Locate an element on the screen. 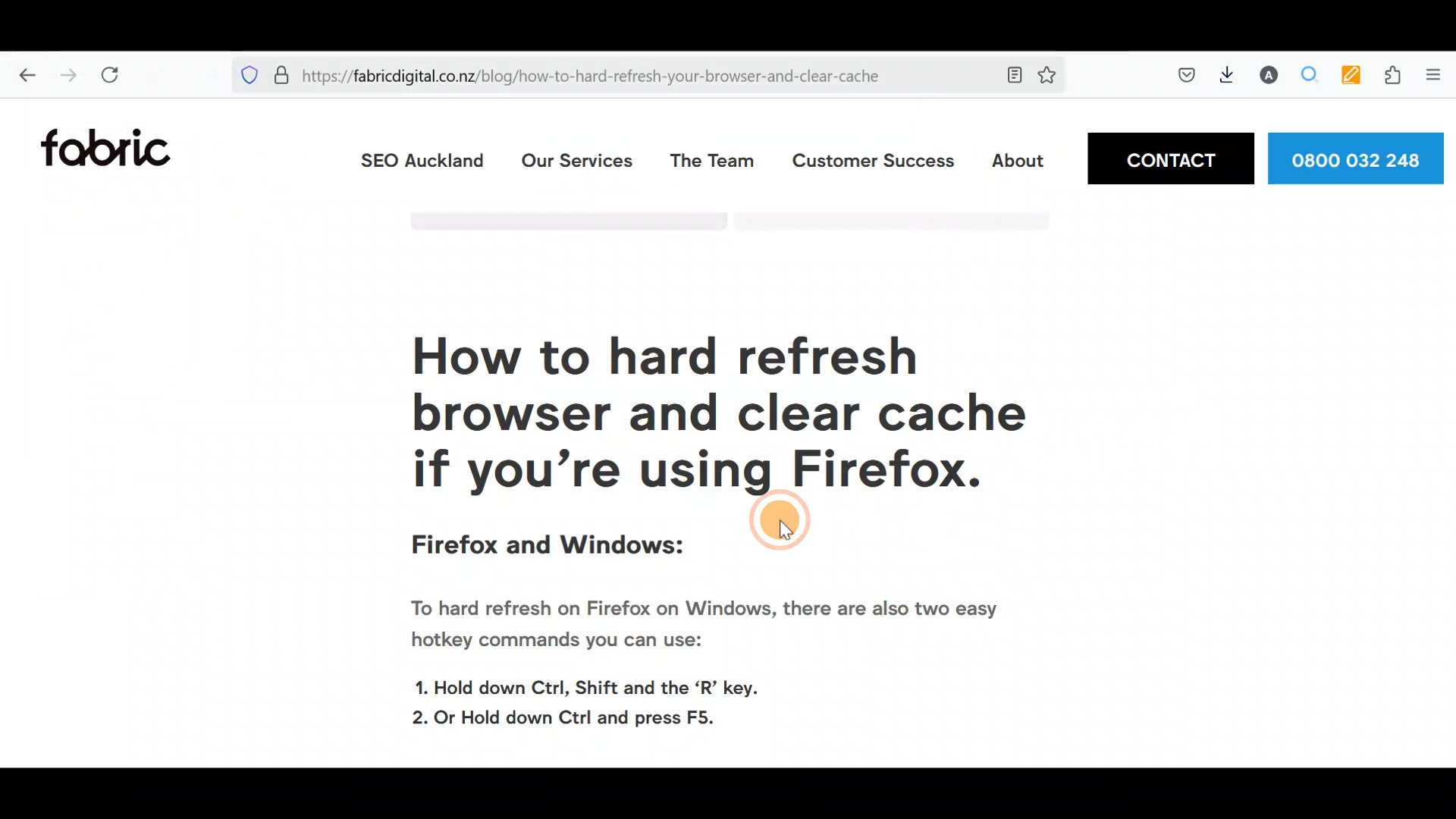 This screenshot has height=819, width=1456. Customer Success is located at coordinates (873, 165).